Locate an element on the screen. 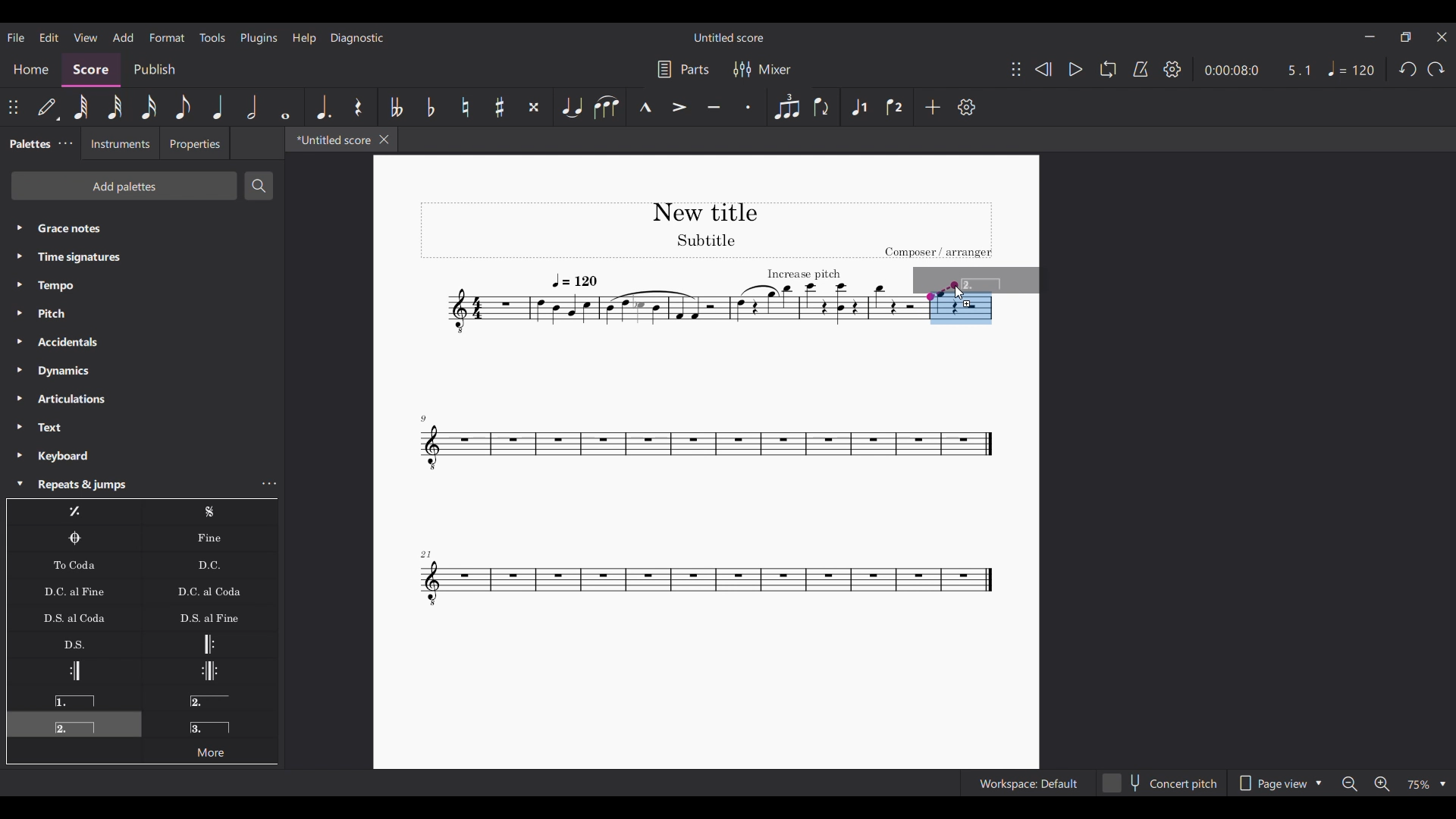 The image size is (1456, 819). Right (end) repeat sign is located at coordinates (74, 671).